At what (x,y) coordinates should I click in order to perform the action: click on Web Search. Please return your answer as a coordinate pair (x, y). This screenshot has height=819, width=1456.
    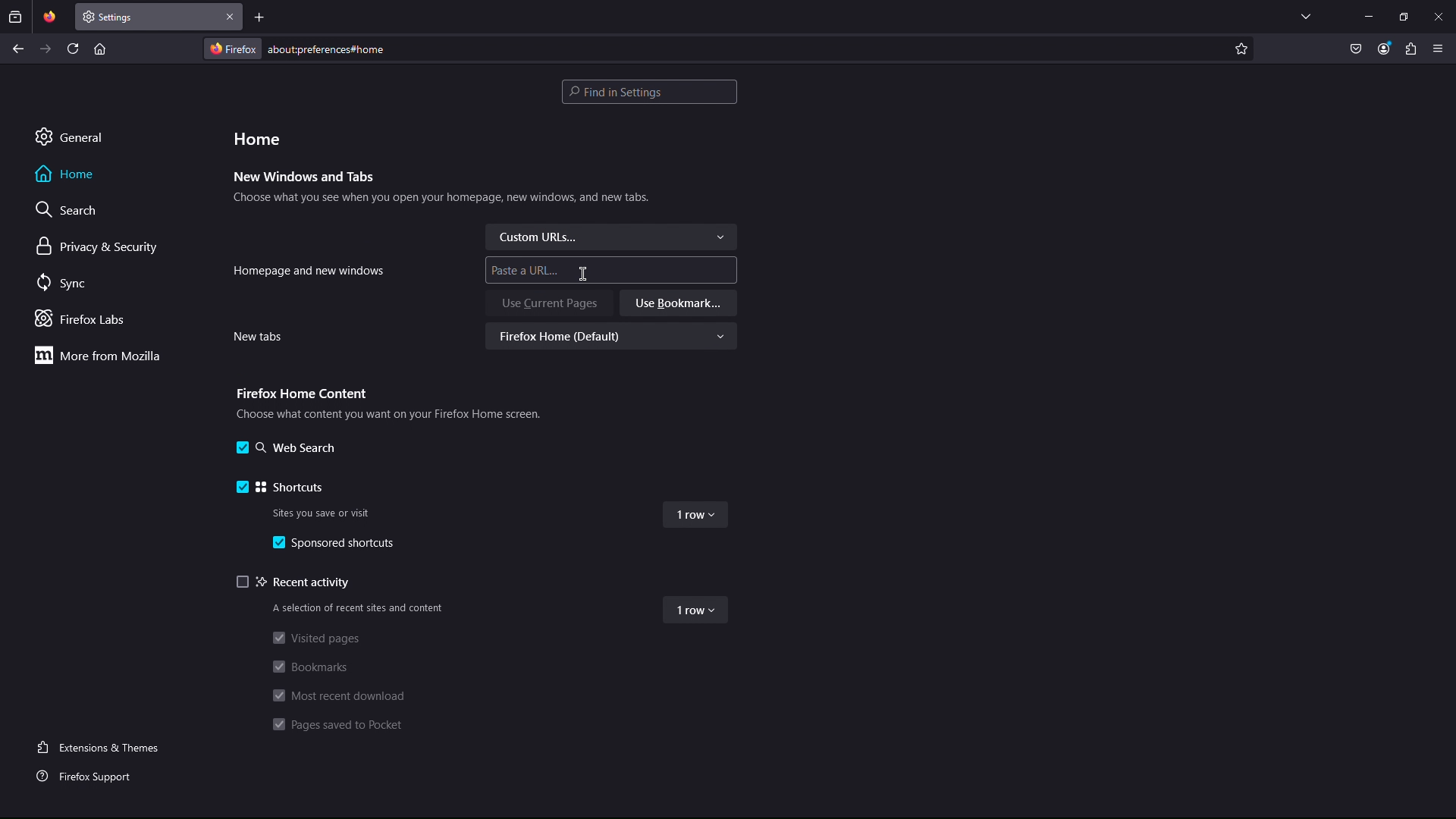
    Looking at the image, I should click on (284, 449).